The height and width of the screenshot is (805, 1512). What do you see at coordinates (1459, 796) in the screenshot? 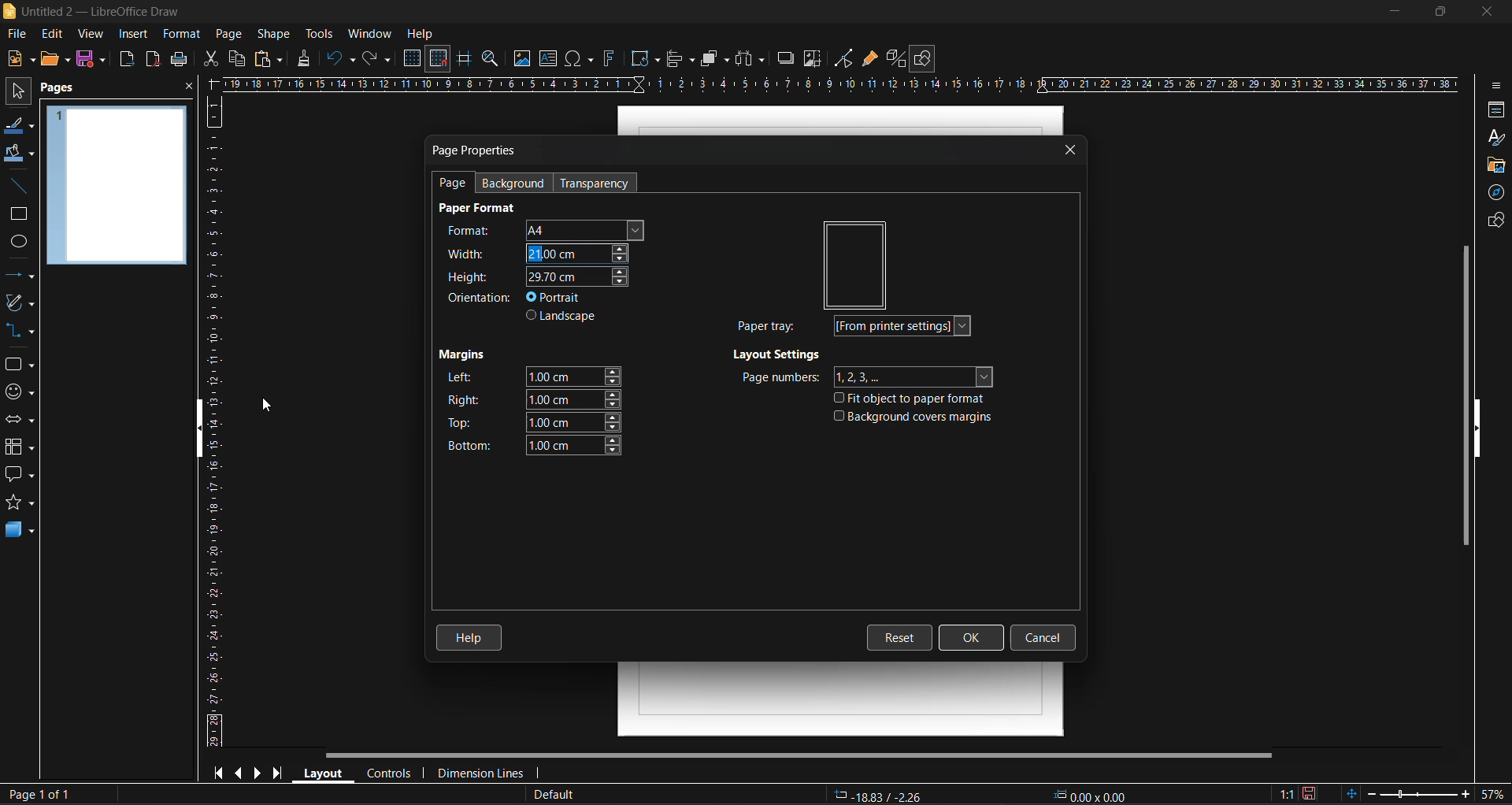
I see `zoom in ` at bounding box center [1459, 796].